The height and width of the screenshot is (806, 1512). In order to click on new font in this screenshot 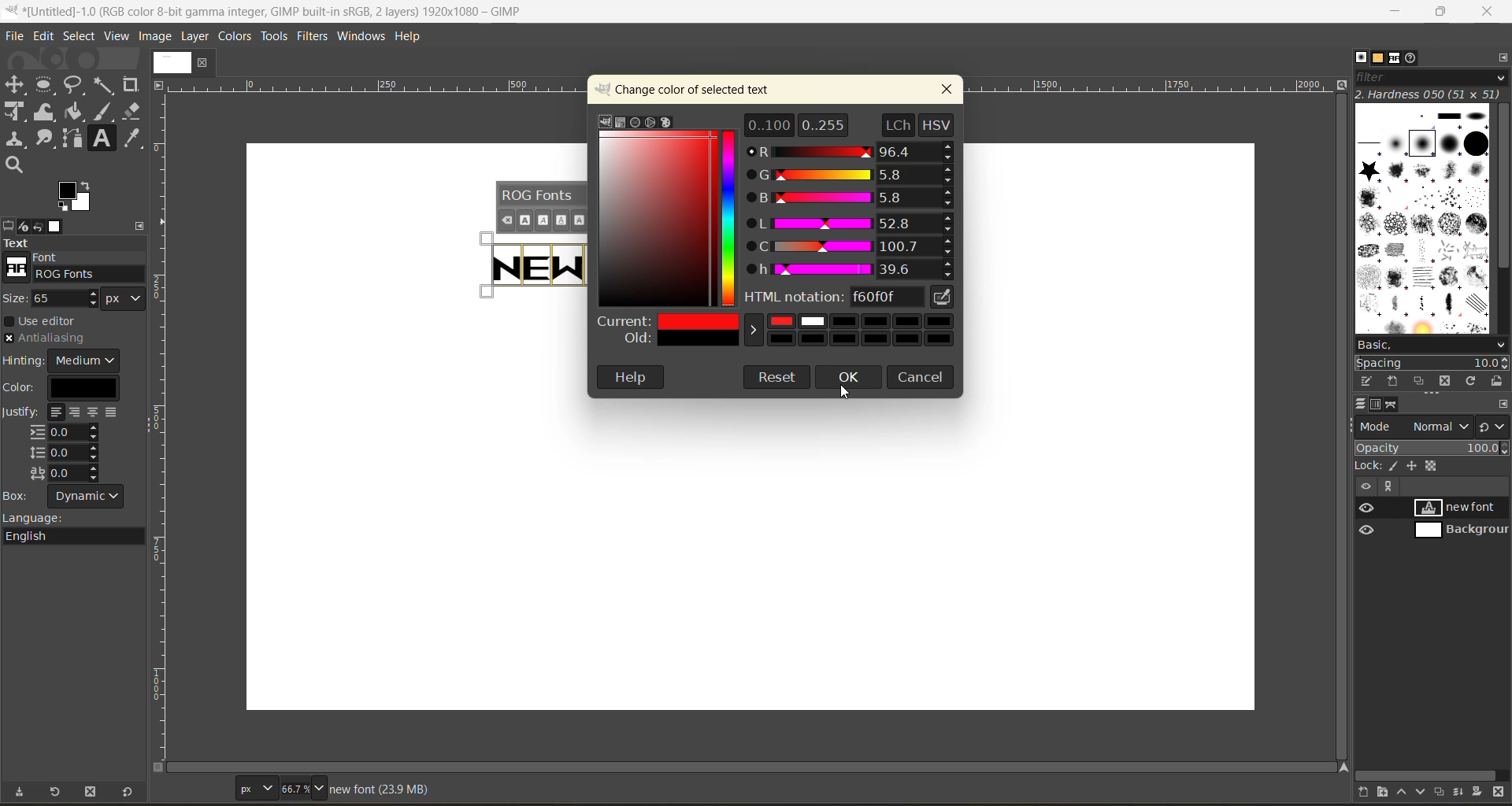, I will do `click(1462, 507)`.